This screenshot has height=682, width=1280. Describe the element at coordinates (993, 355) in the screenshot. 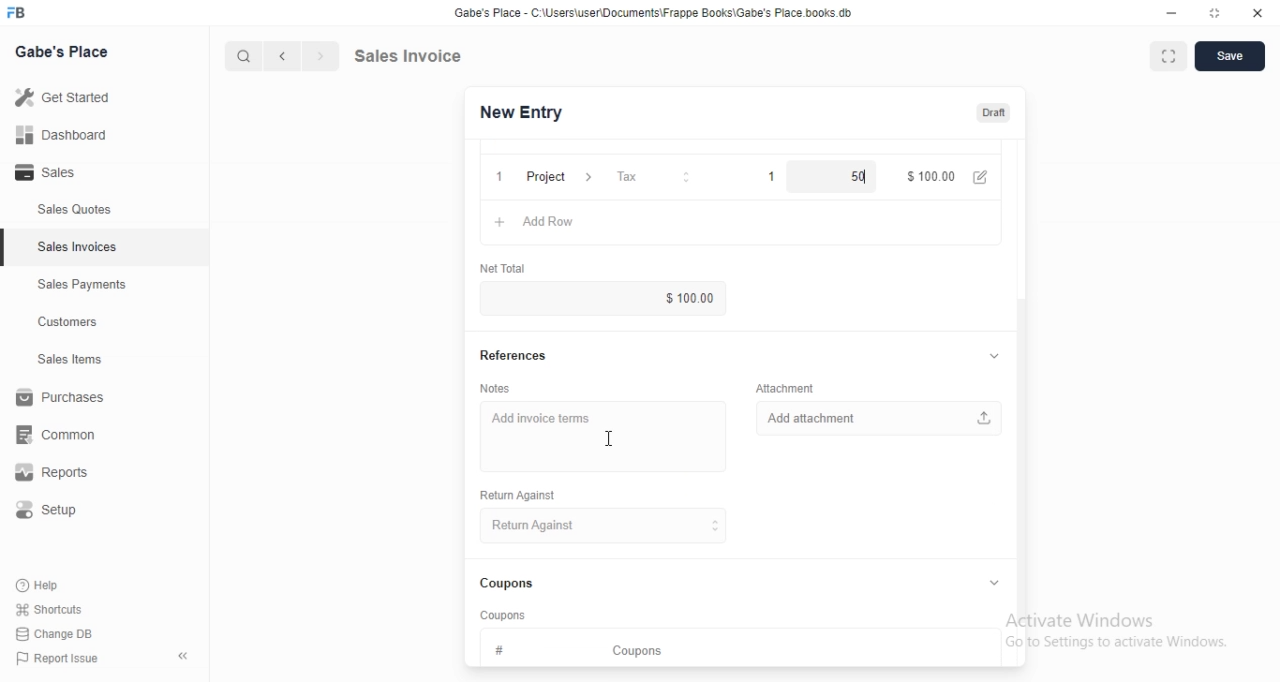

I see `collapse` at that location.